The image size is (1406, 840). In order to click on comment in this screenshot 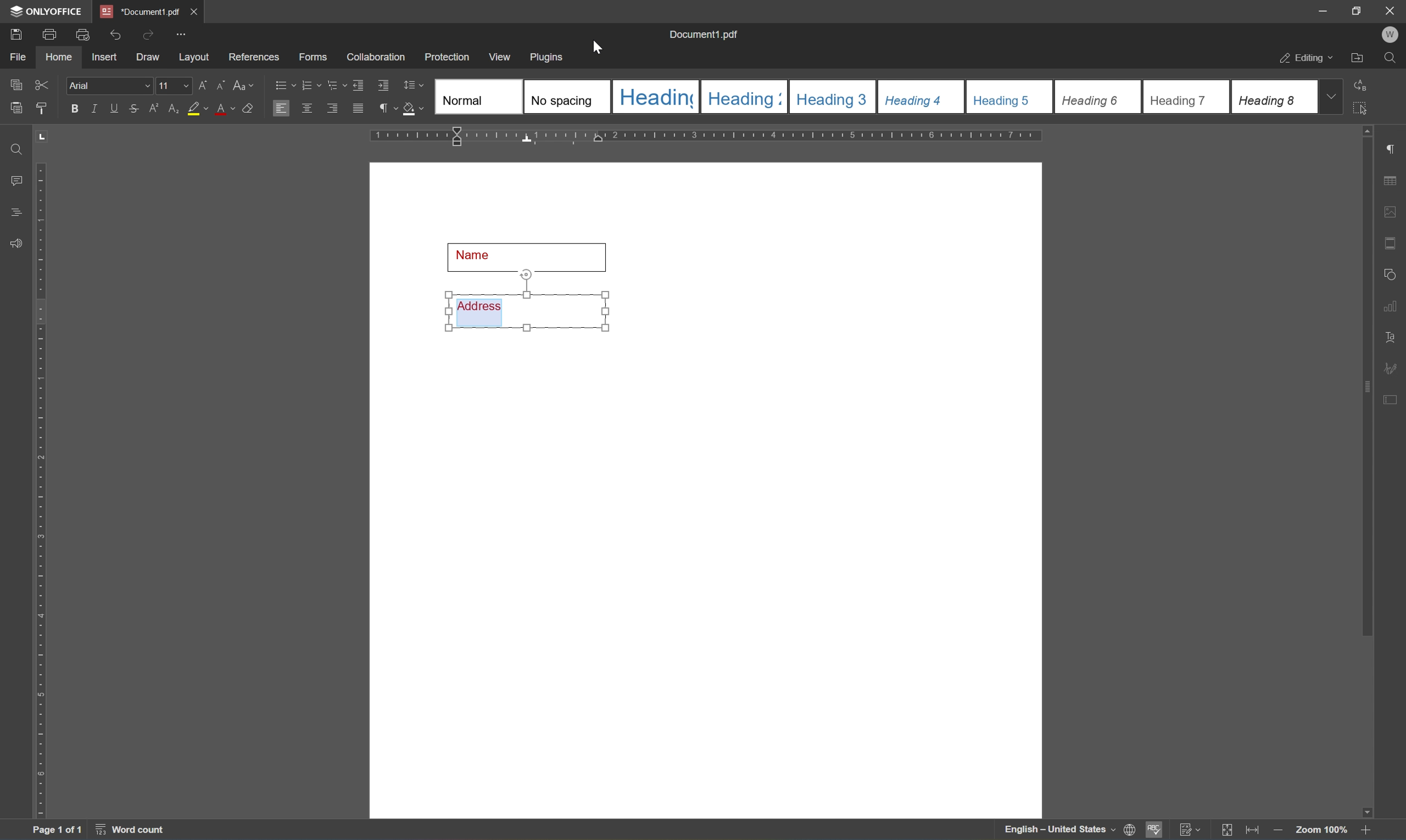, I will do `click(14, 179)`.